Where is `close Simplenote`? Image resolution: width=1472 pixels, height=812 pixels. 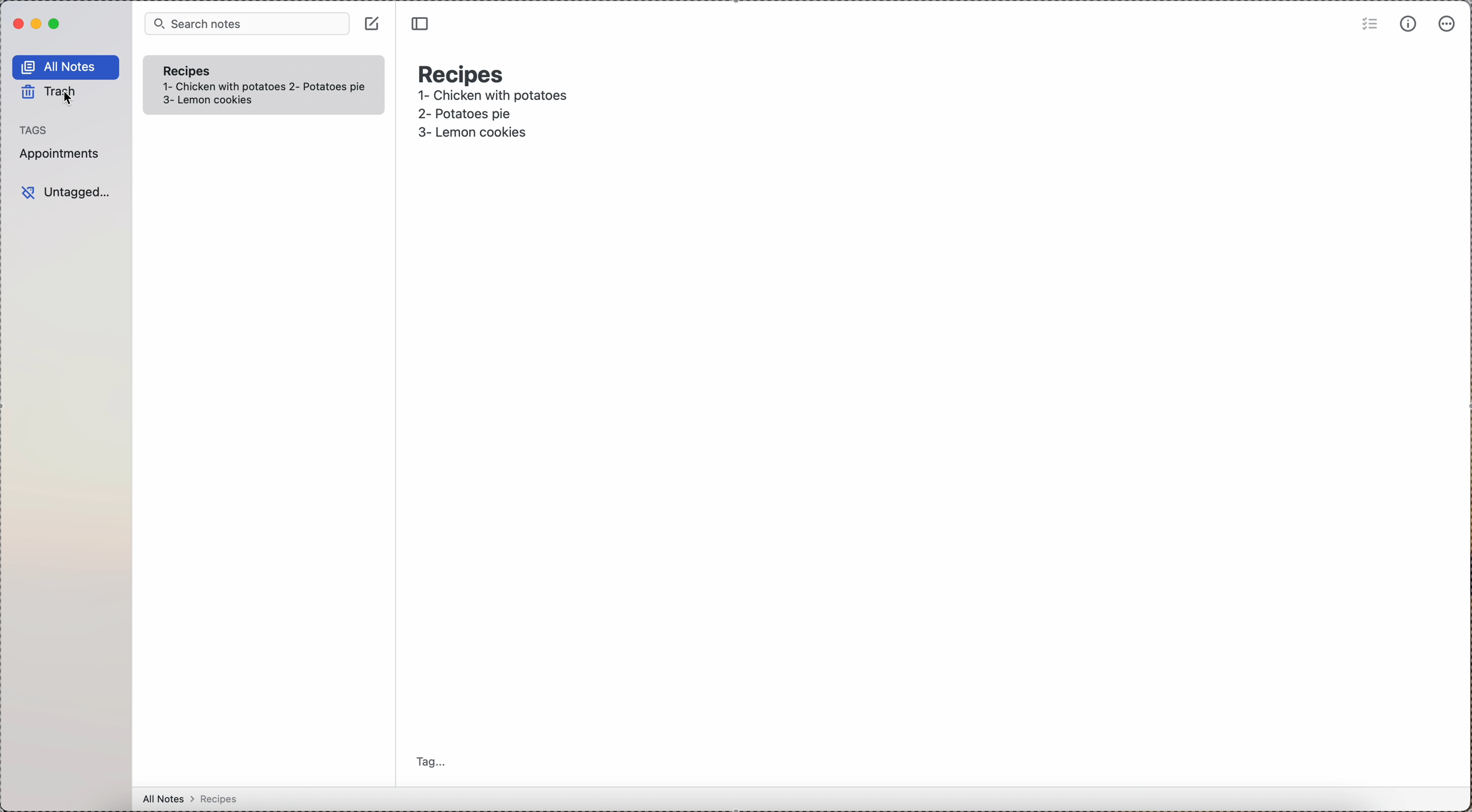 close Simplenote is located at coordinates (18, 23).